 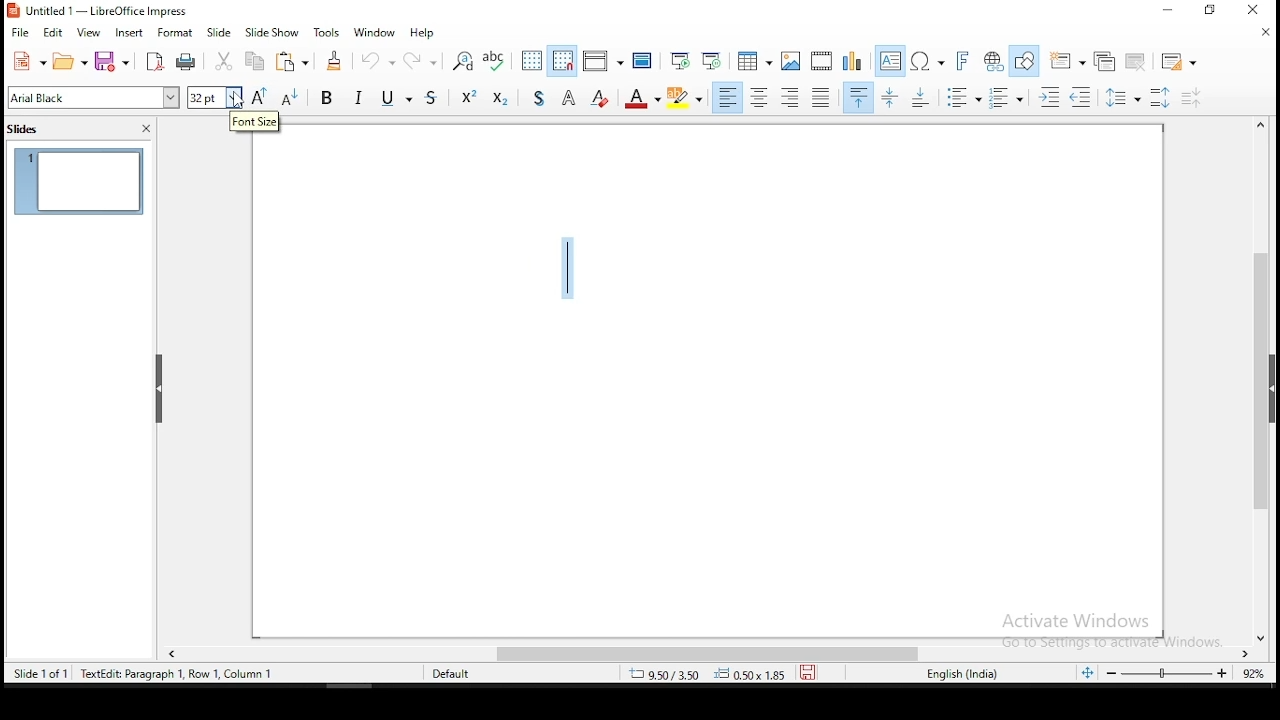 I want to click on slide show, so click(x=271, y=33).